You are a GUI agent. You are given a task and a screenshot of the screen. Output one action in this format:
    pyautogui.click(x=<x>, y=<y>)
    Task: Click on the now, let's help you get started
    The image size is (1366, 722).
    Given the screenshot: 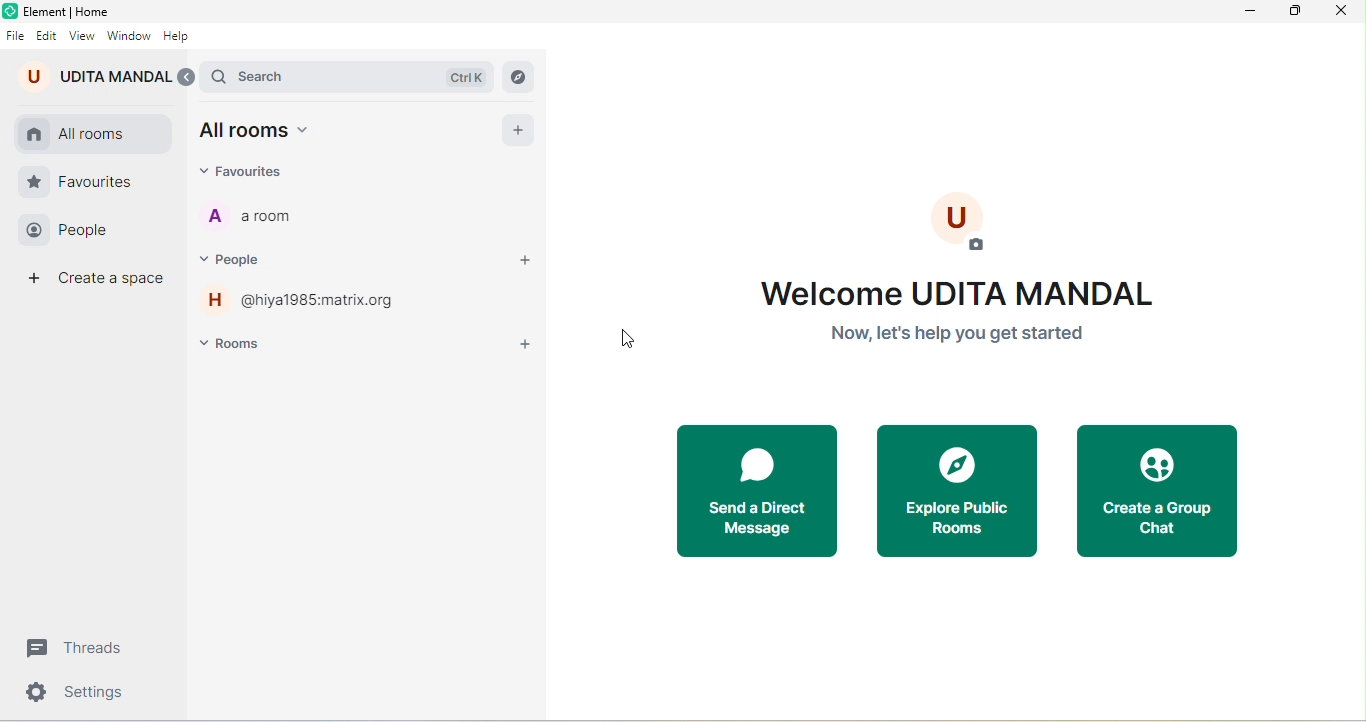 What is the action you would take?
    pyautogui.click(x=955, y=333)
    